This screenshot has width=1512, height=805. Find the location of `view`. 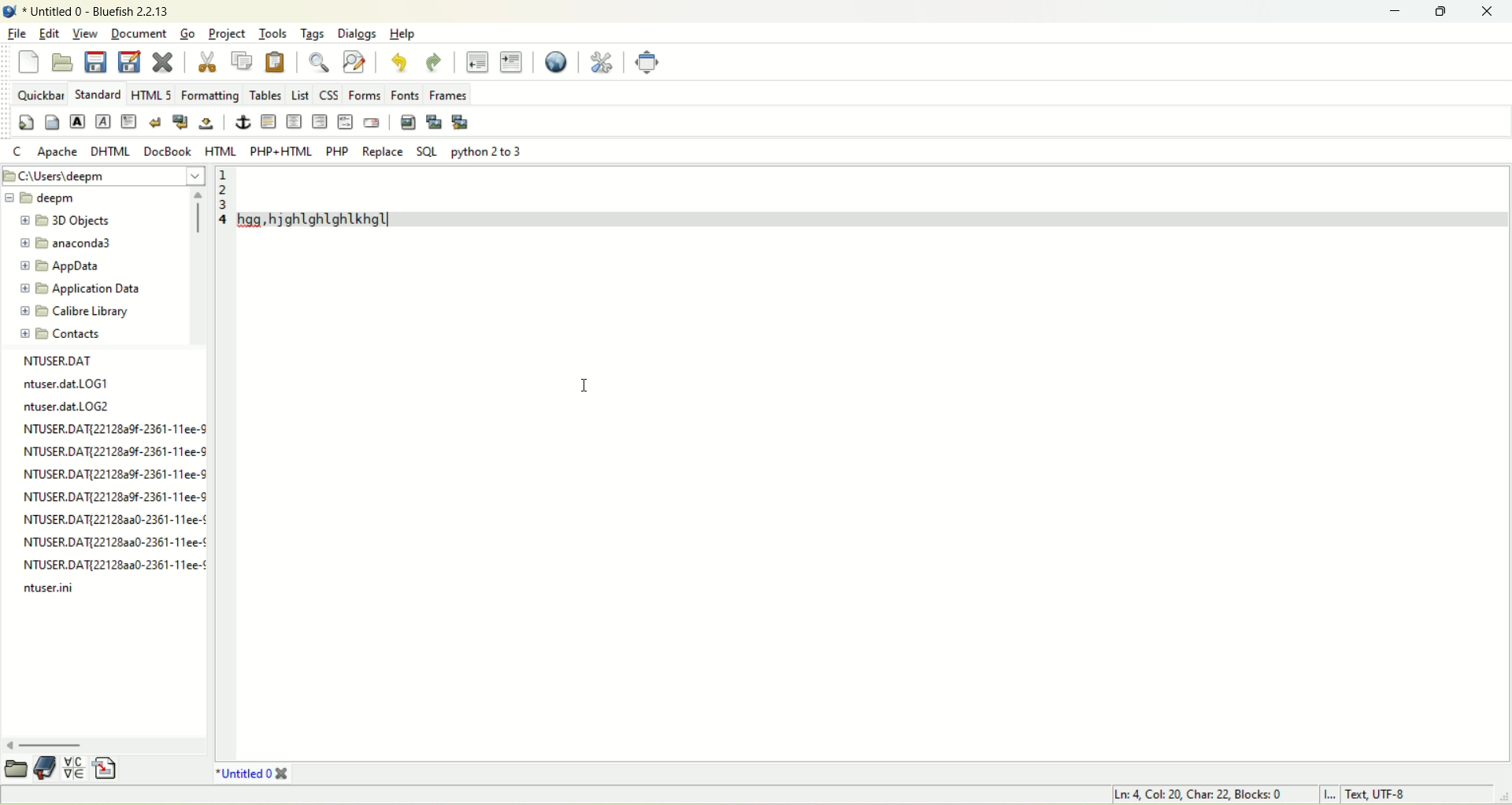

view is located at coordinates (84, 33).